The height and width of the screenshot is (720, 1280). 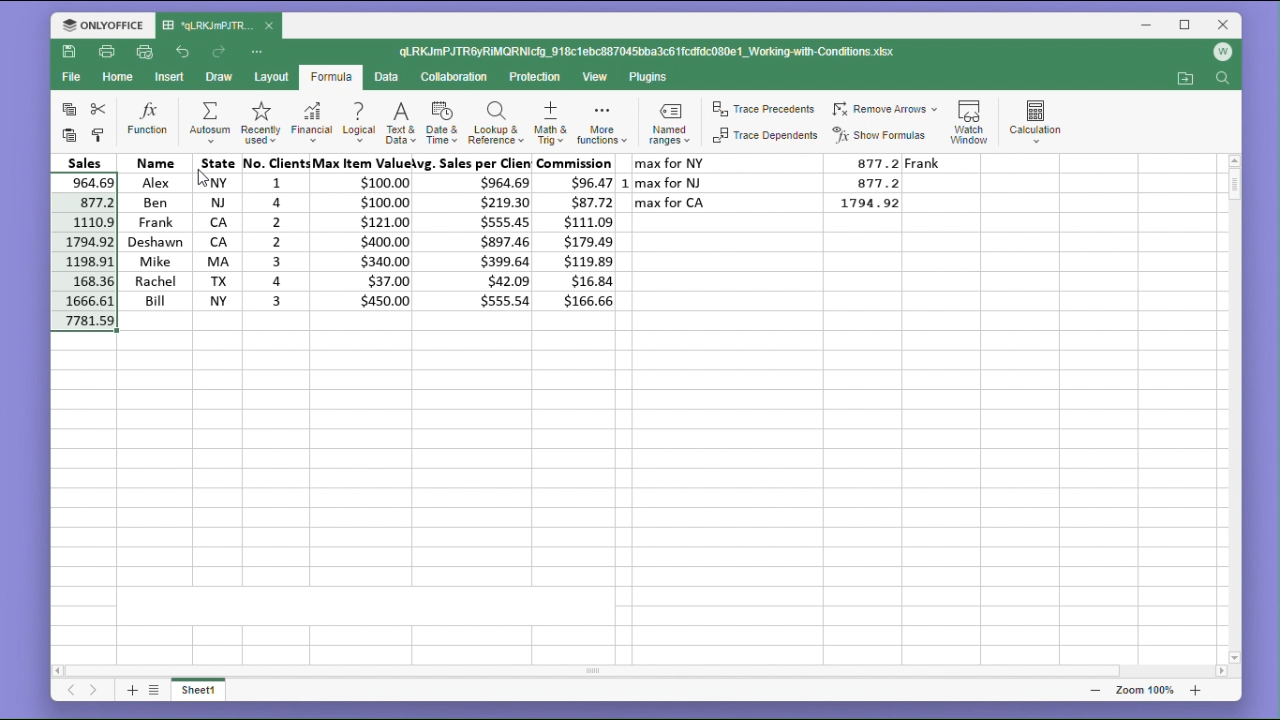 I want to click on scroll down, so click(x=1235, y=657).